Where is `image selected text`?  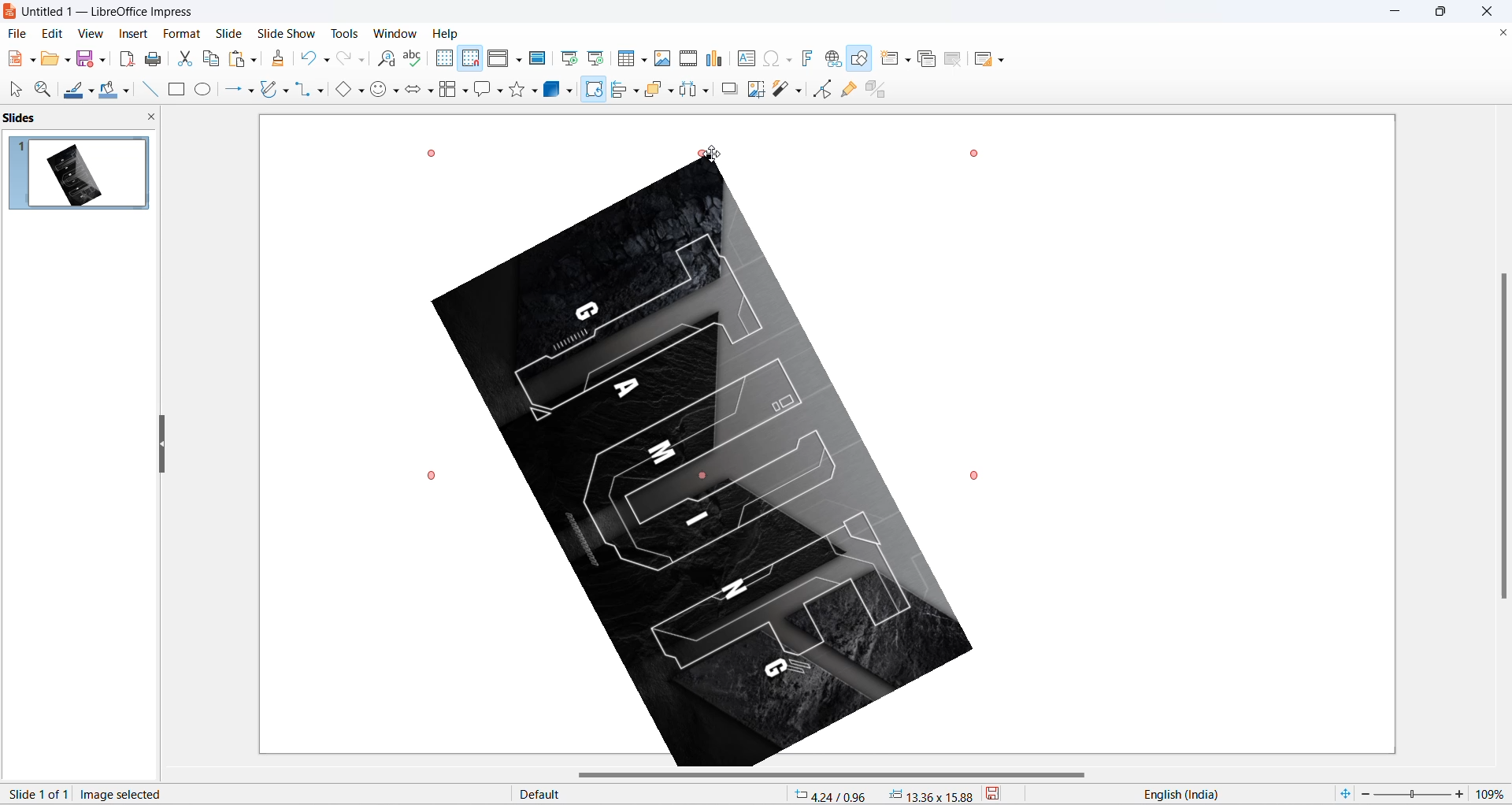
image selected text is located at coordinates (124, 793).